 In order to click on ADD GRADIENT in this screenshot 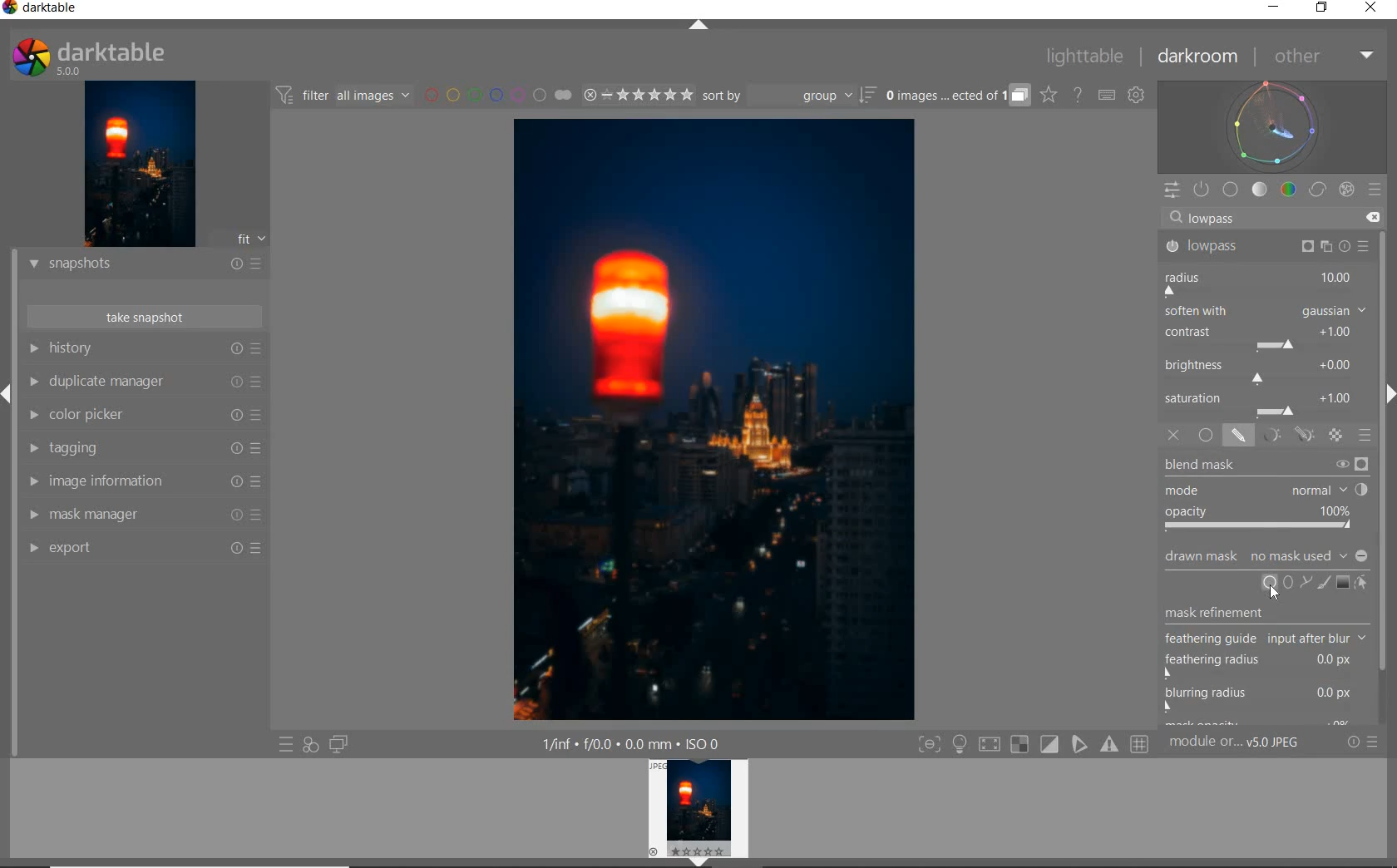, I will do `click(1341, 583)`.